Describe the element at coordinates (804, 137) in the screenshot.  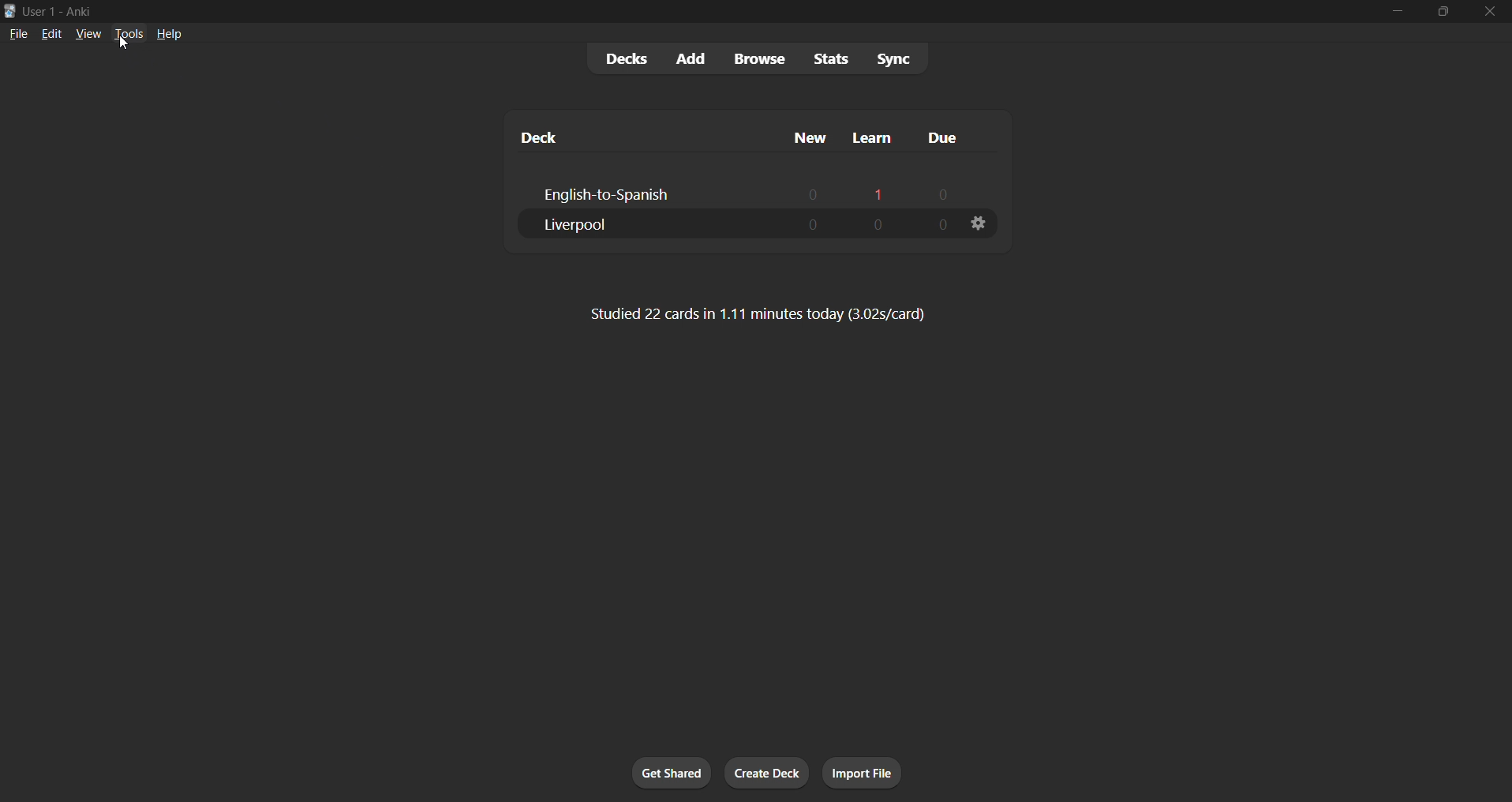
I see `new column` at that location.